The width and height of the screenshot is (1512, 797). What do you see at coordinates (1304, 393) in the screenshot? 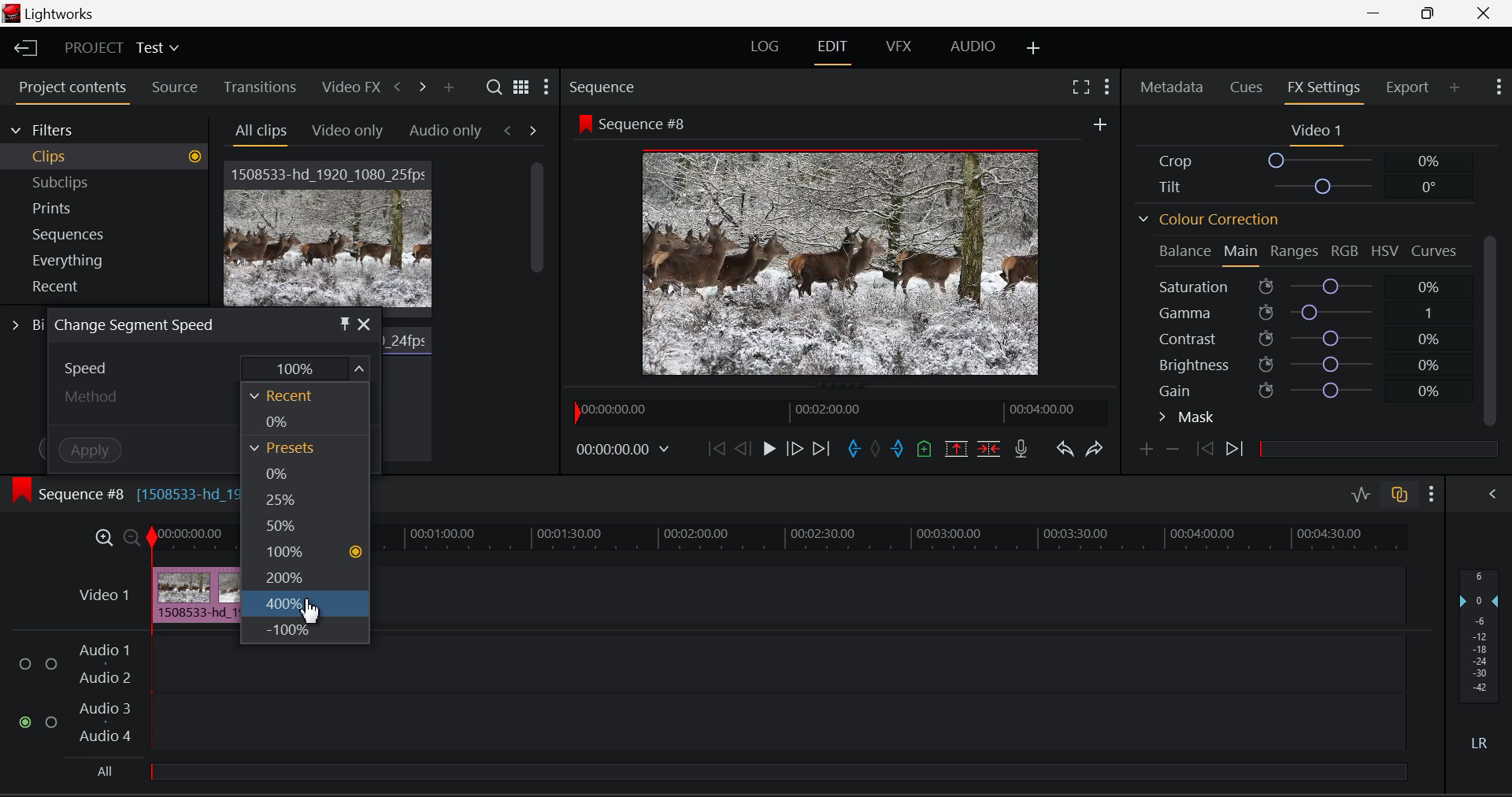
I see `Gain` at bounding box center [1304, 393].